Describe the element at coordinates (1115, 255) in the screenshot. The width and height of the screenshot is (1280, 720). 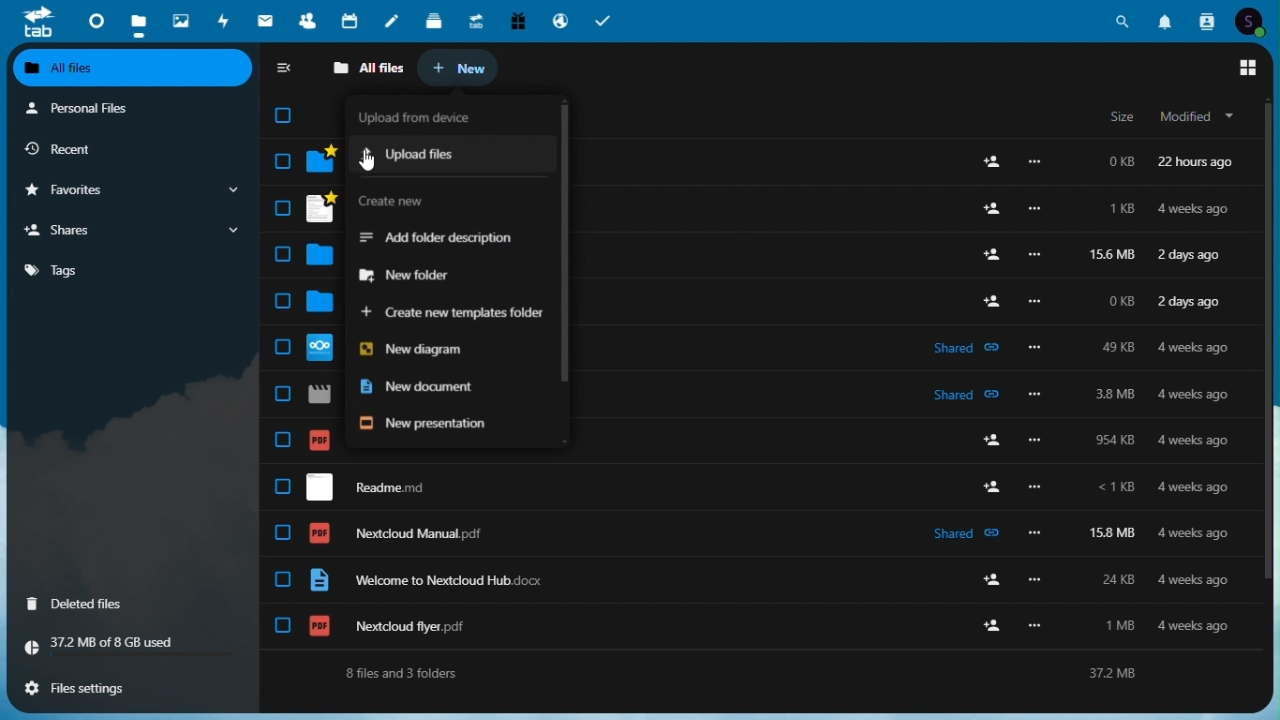
I see `156mb` at that location.